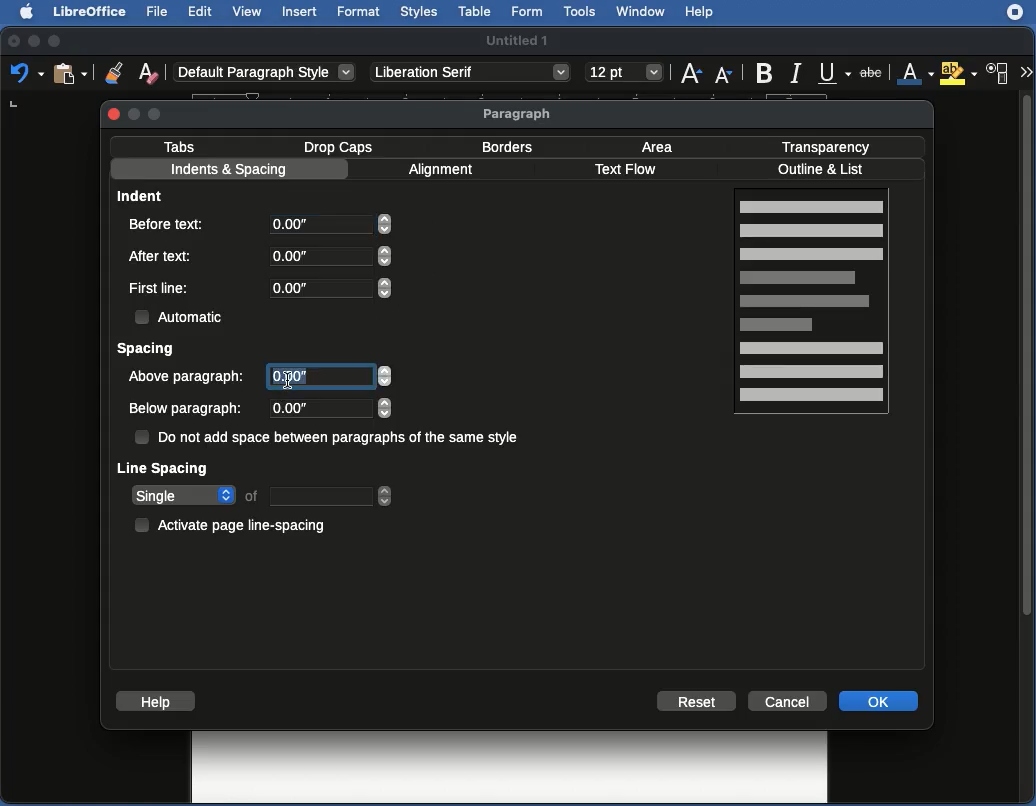 The height and width of the screenshot is (806, 1036). What do you see at coordinates (164, 467) in the screenshot?
I see `Line spacing ` at bounding box center [164, 467].